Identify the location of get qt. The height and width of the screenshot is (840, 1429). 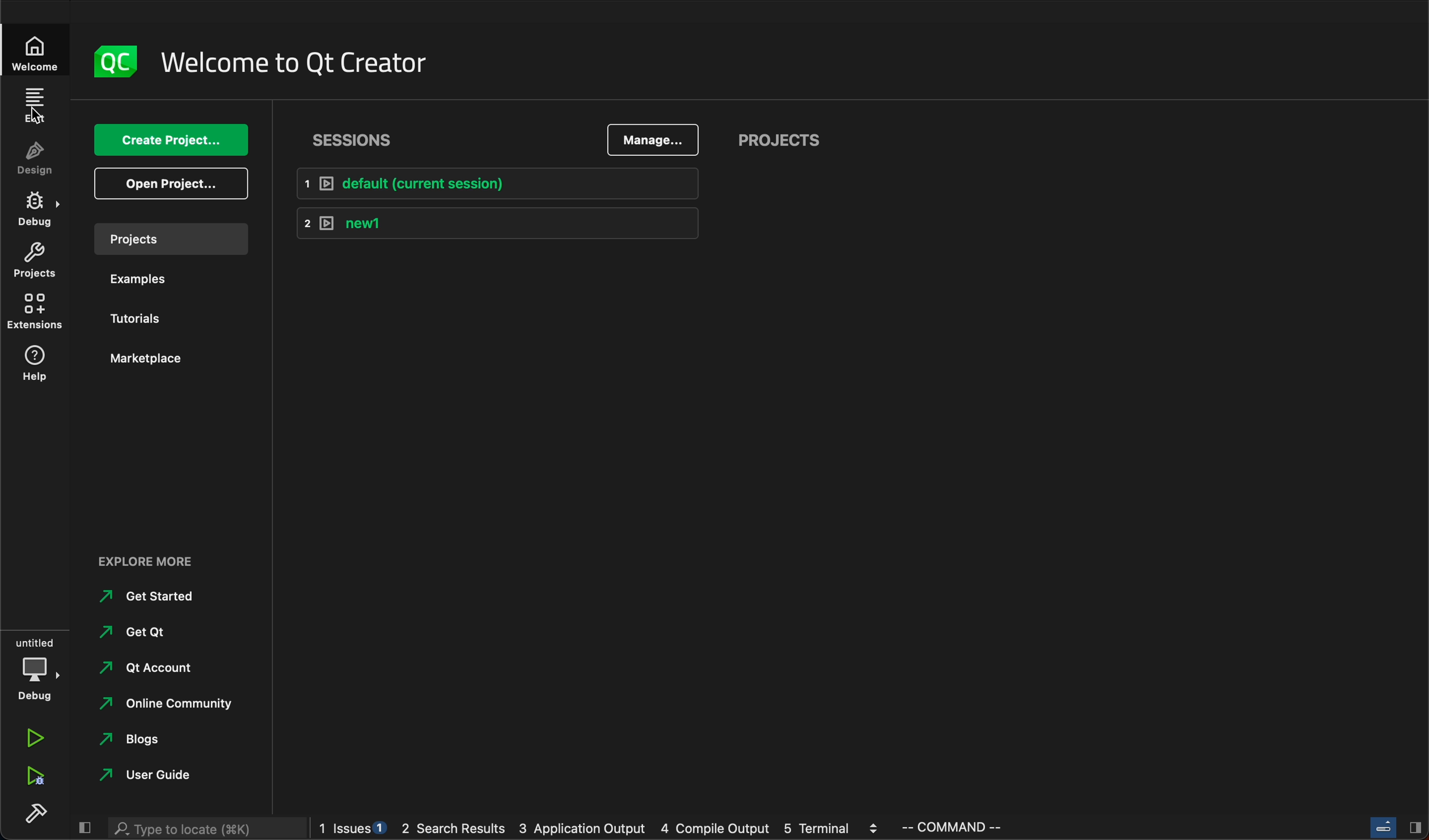
(147, 631).